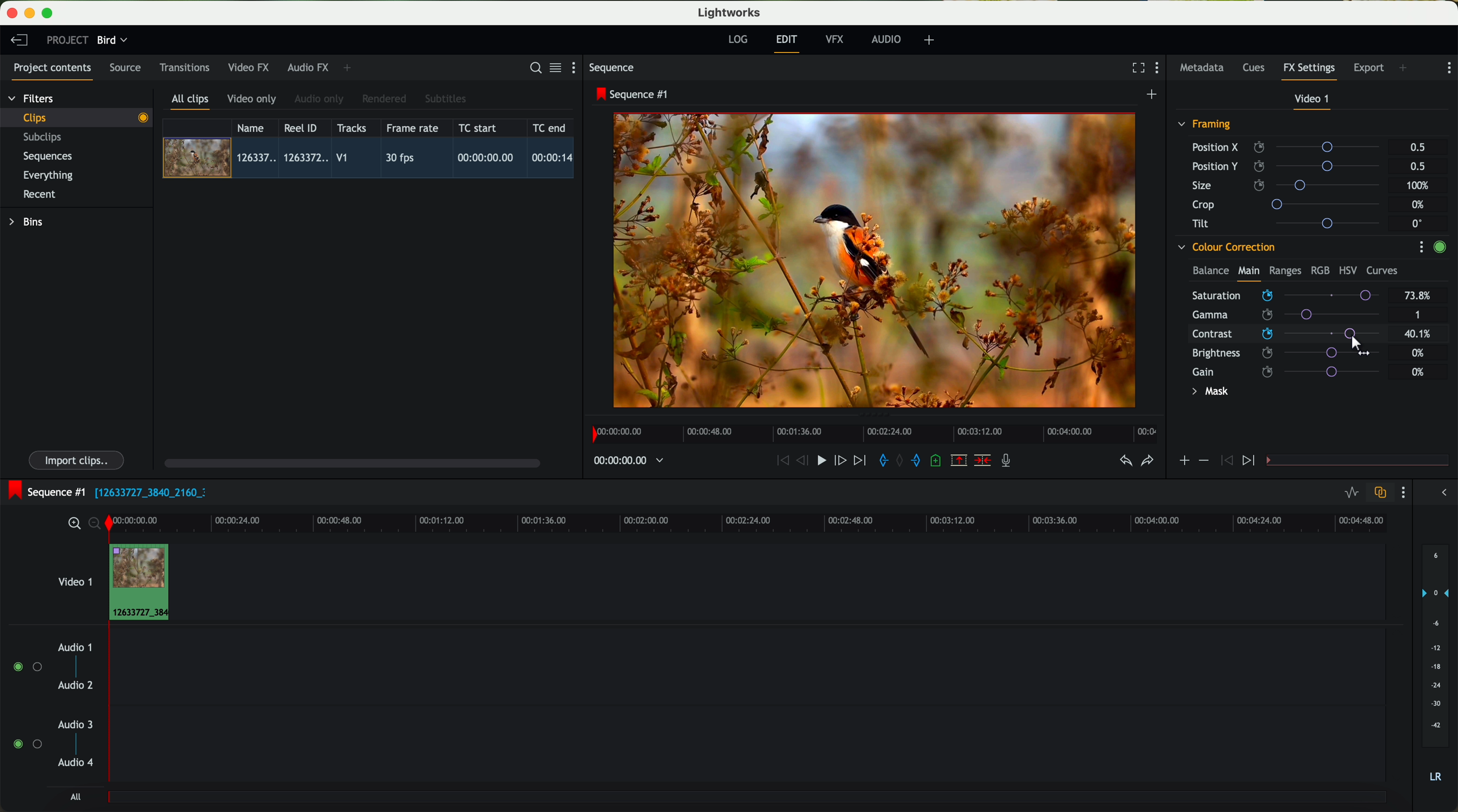 The height and width of the screenshot is (812, 1458). What do you see at coordinates (1402, 492) in the screenshot?
I see `show settings menu` at bounding box center [1402, 492].